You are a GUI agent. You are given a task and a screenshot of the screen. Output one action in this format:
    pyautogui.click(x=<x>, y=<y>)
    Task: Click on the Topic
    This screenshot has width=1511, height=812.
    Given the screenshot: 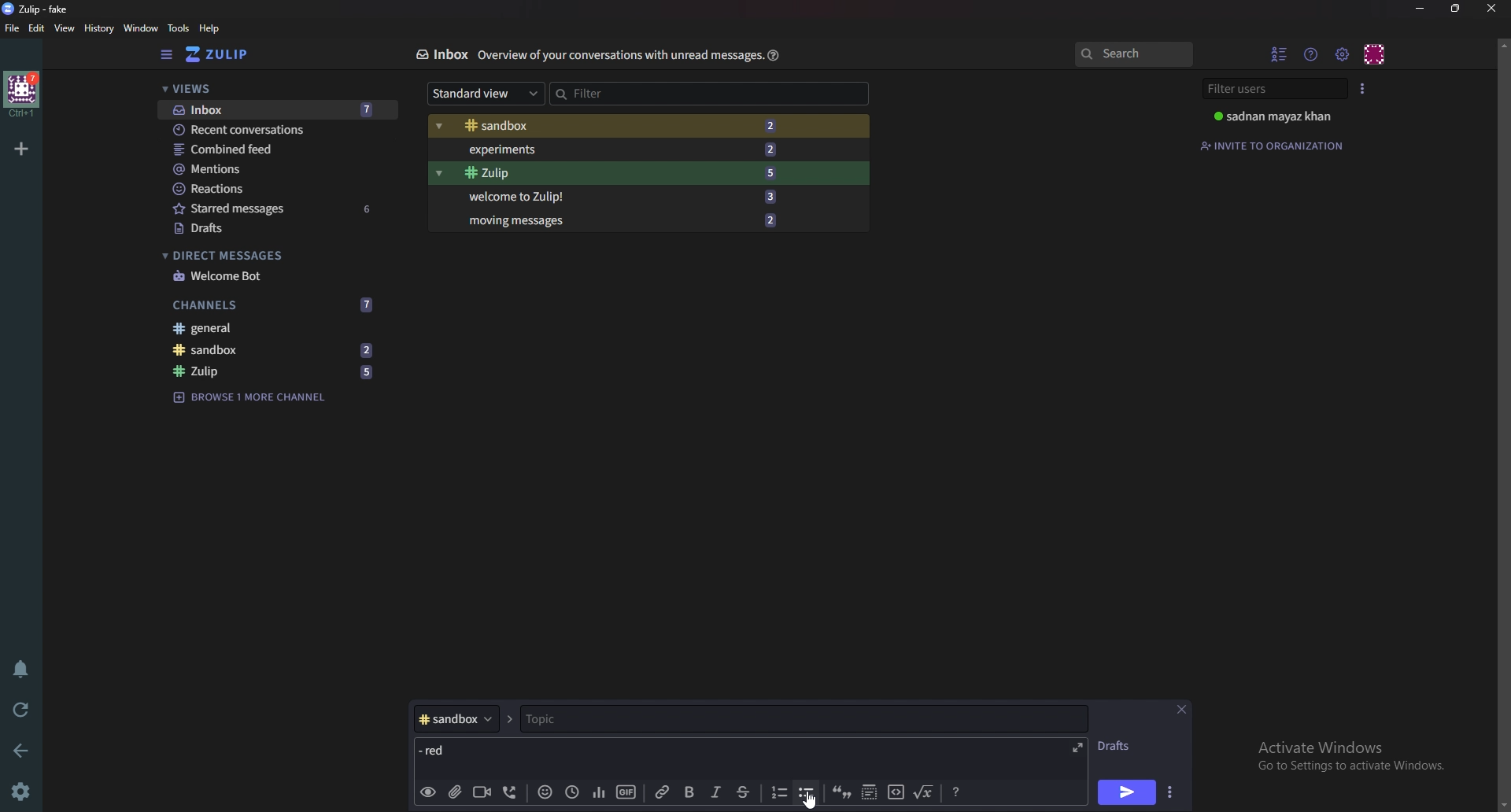 What is the action you would take?
    pyautogui.click(x=794, y=718)
    